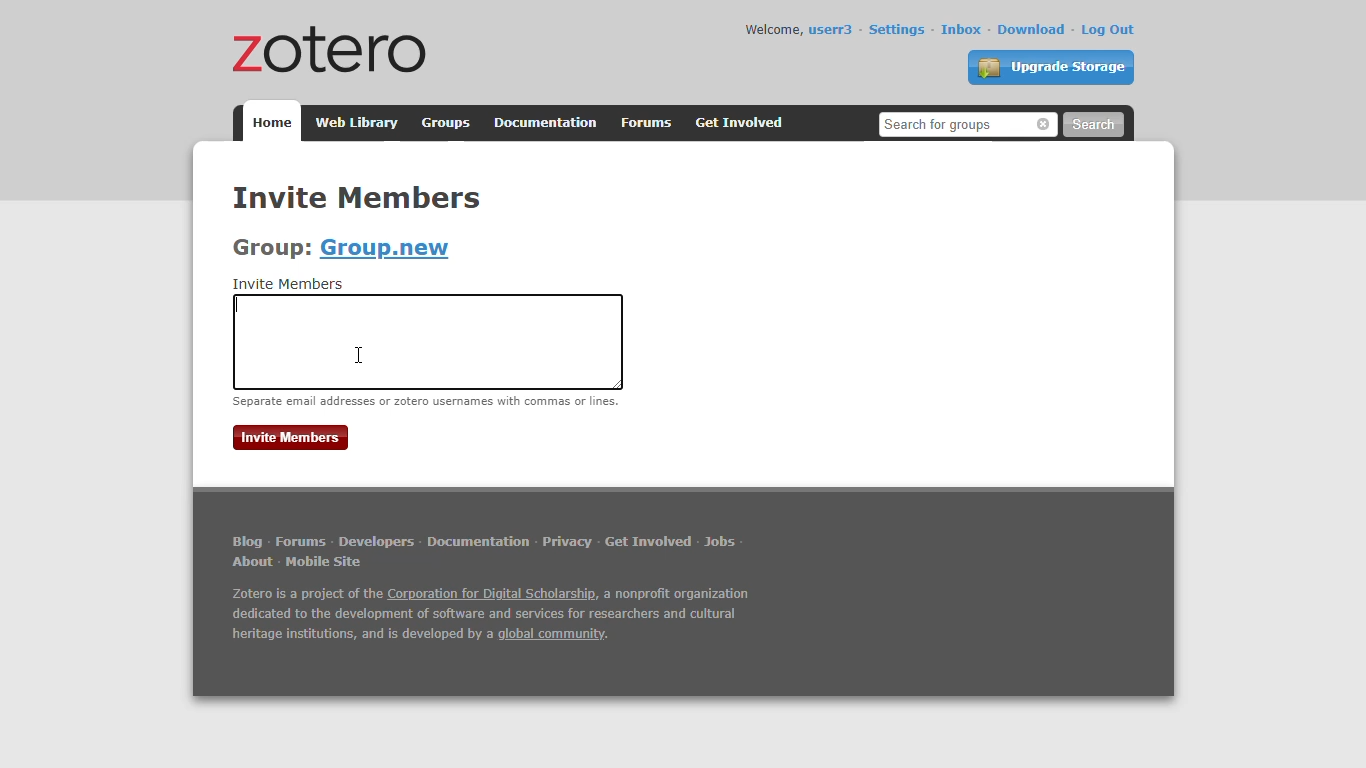  Describe the element at coordinates (323, 48) in the screenshot. I see `zotero` at that location.